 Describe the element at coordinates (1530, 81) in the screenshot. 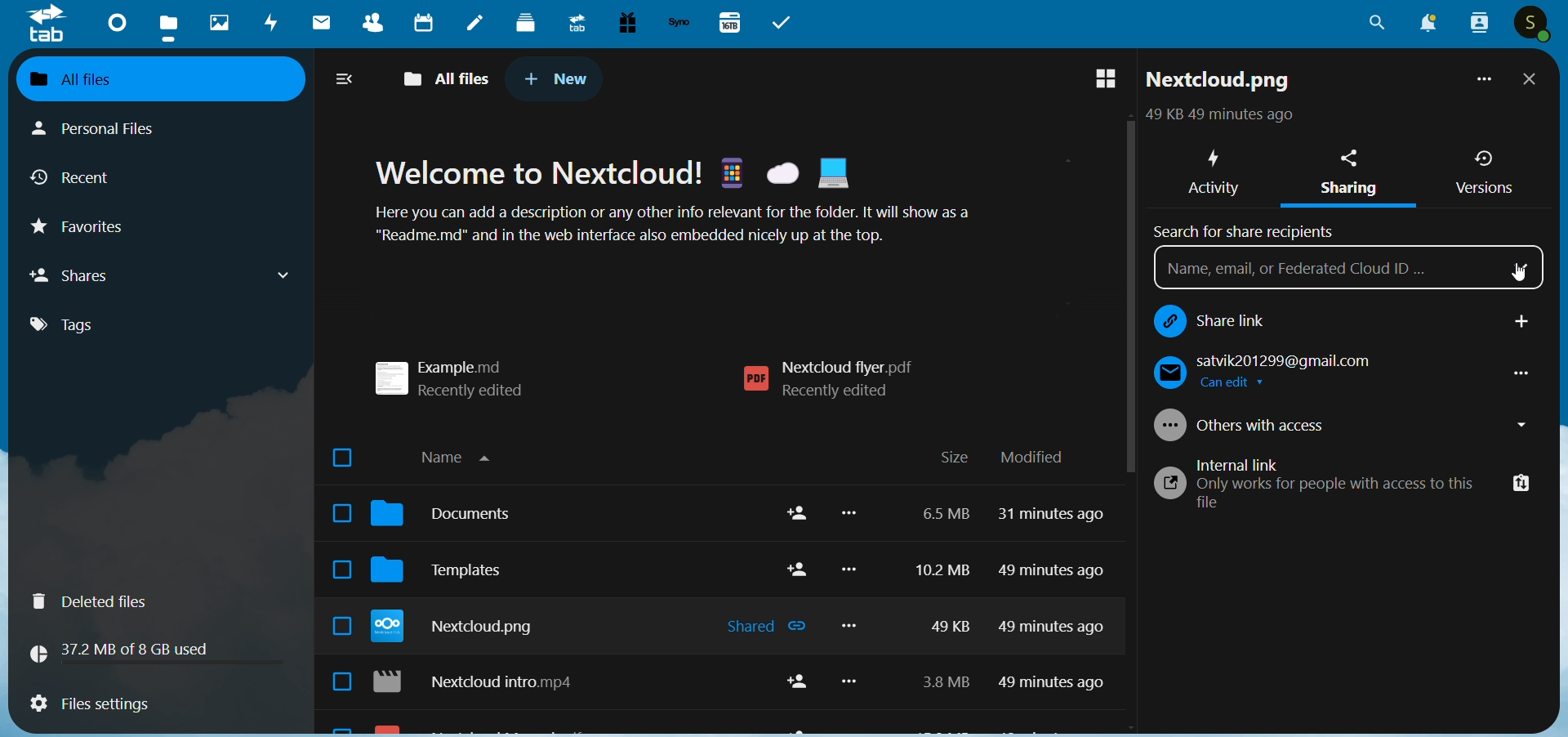

I see `close pane` at that location.